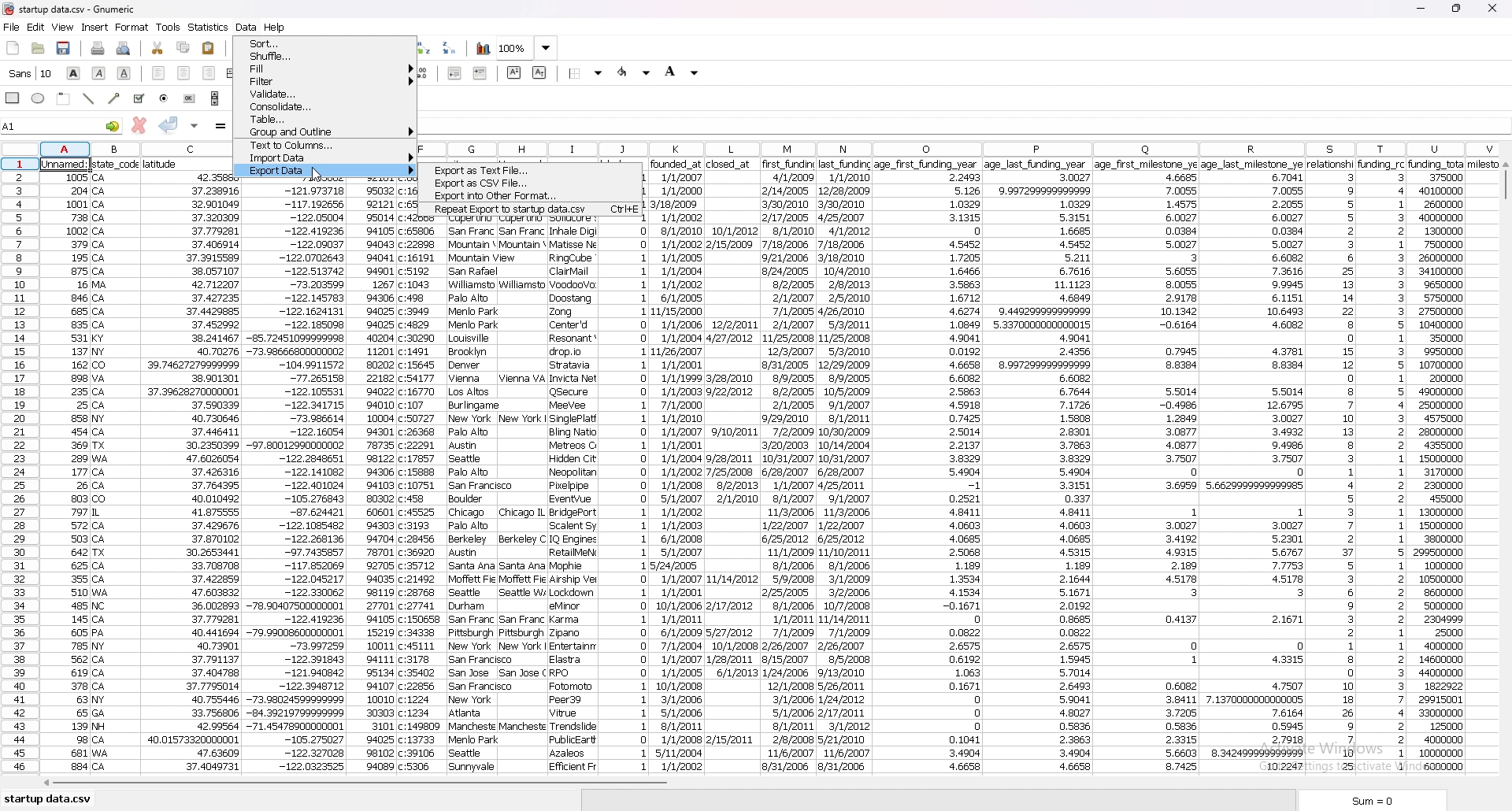 This screenshot has width=1512, height=811. Describe the element at coordinates (97, 49) in the screenshot. I see `print` at that location.